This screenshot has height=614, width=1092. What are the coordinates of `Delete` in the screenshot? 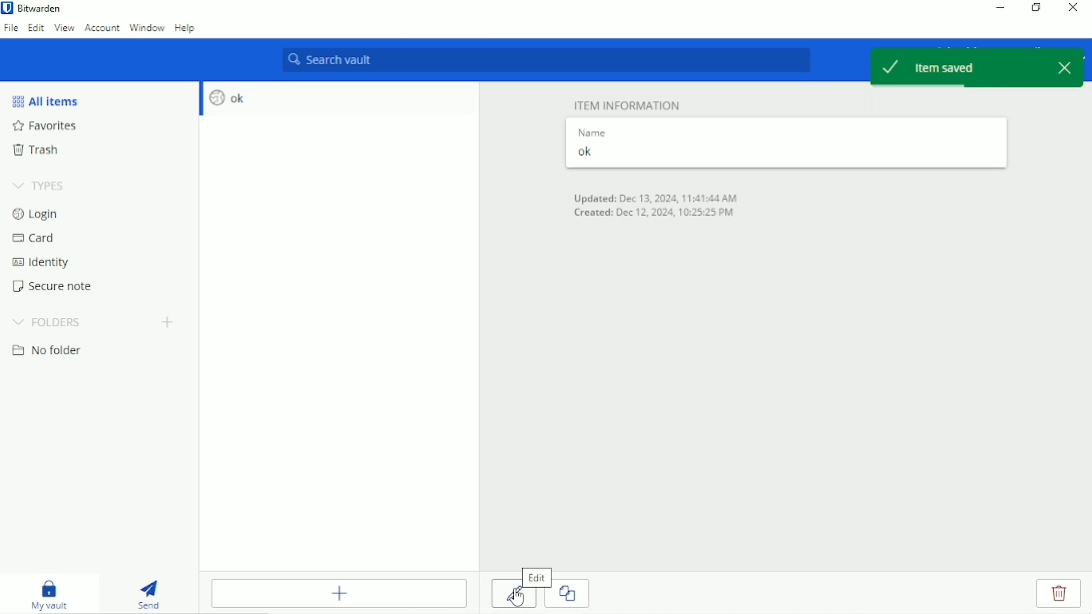 It's located at (1059, 593).